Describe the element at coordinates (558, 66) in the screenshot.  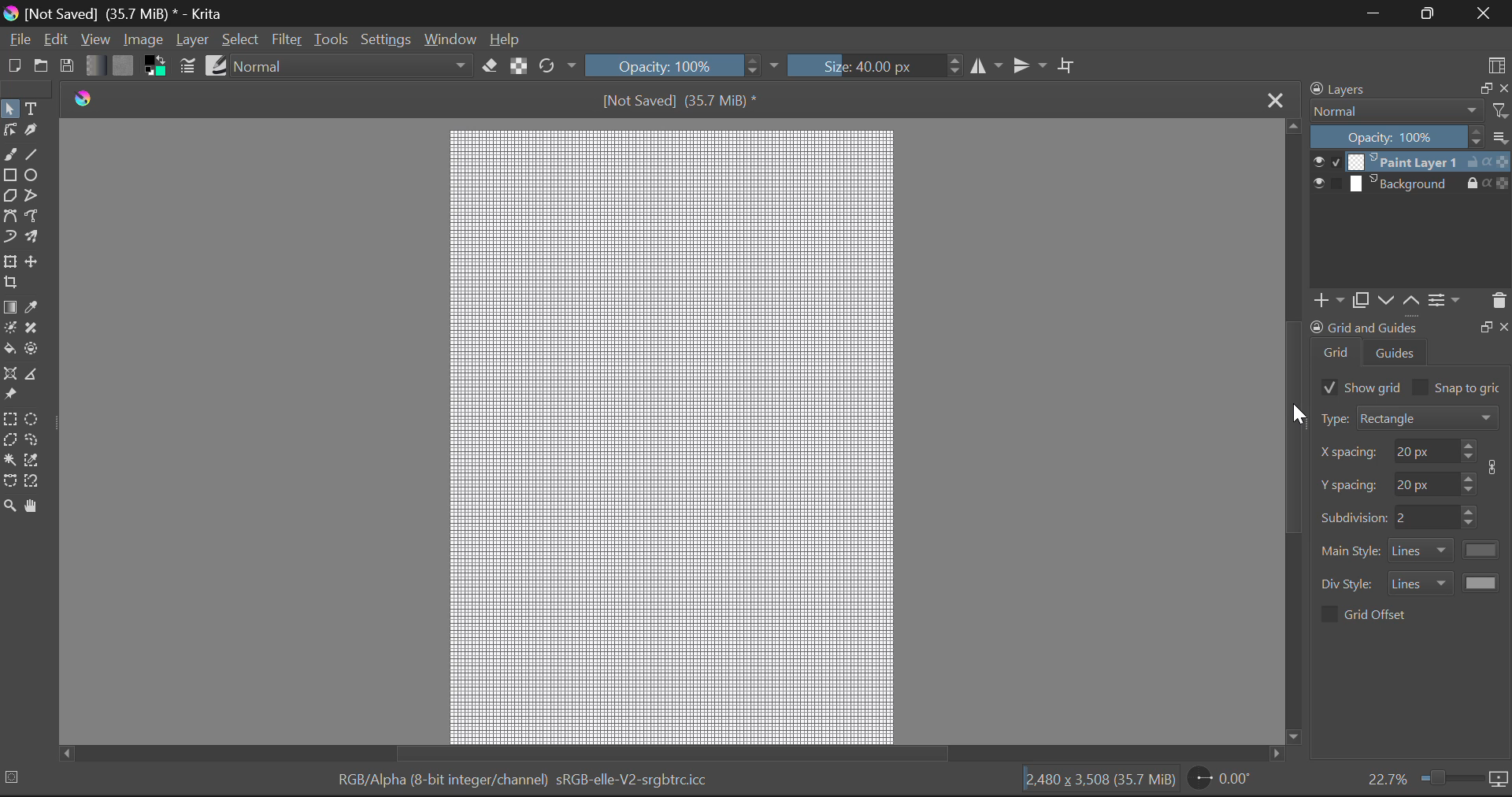
I see `Rotate` at that location.